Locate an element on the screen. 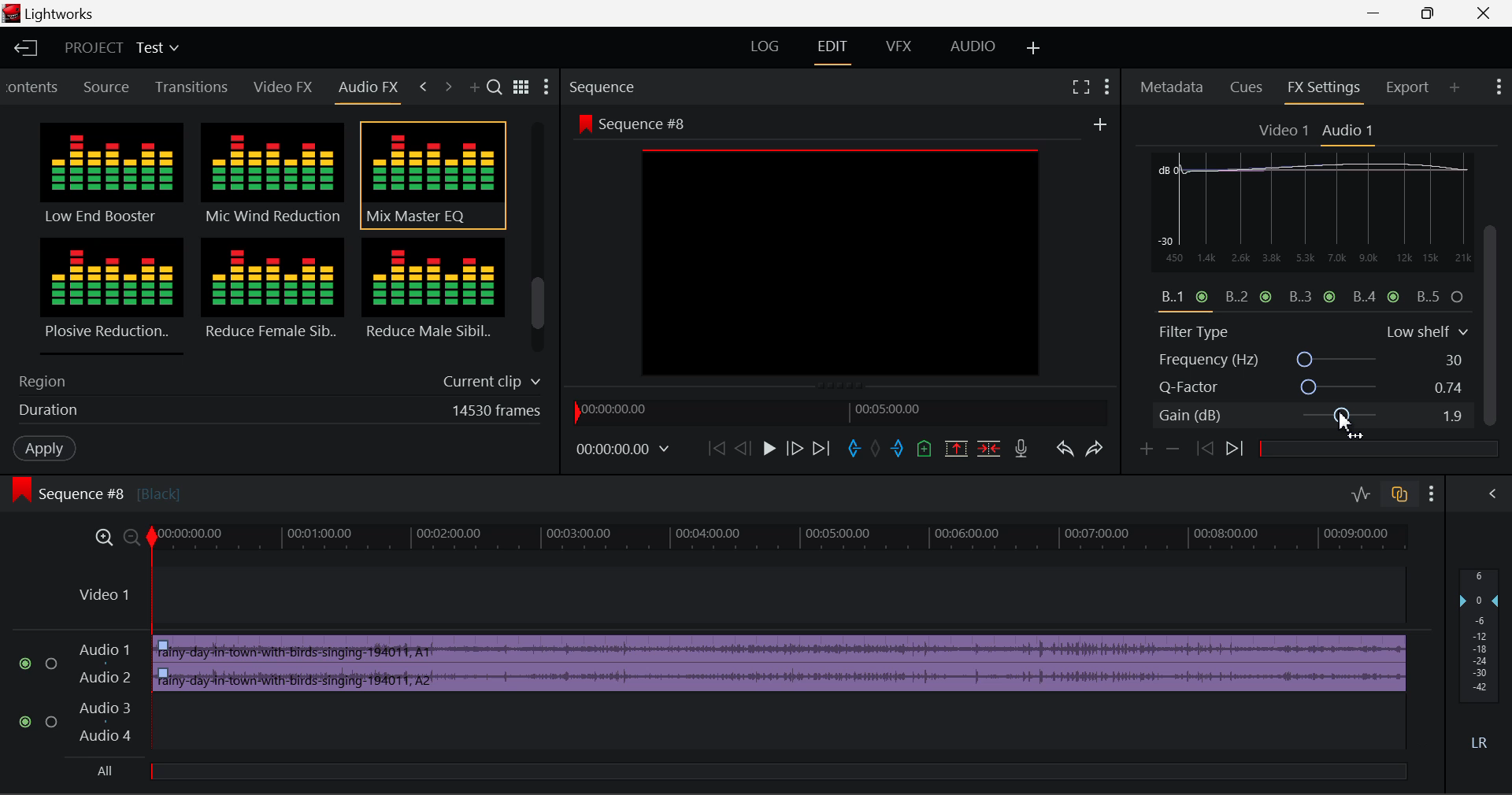 Image resolution: width=1512 pixels, height=795 pixels. Export is located at coordinates (1408, 87).